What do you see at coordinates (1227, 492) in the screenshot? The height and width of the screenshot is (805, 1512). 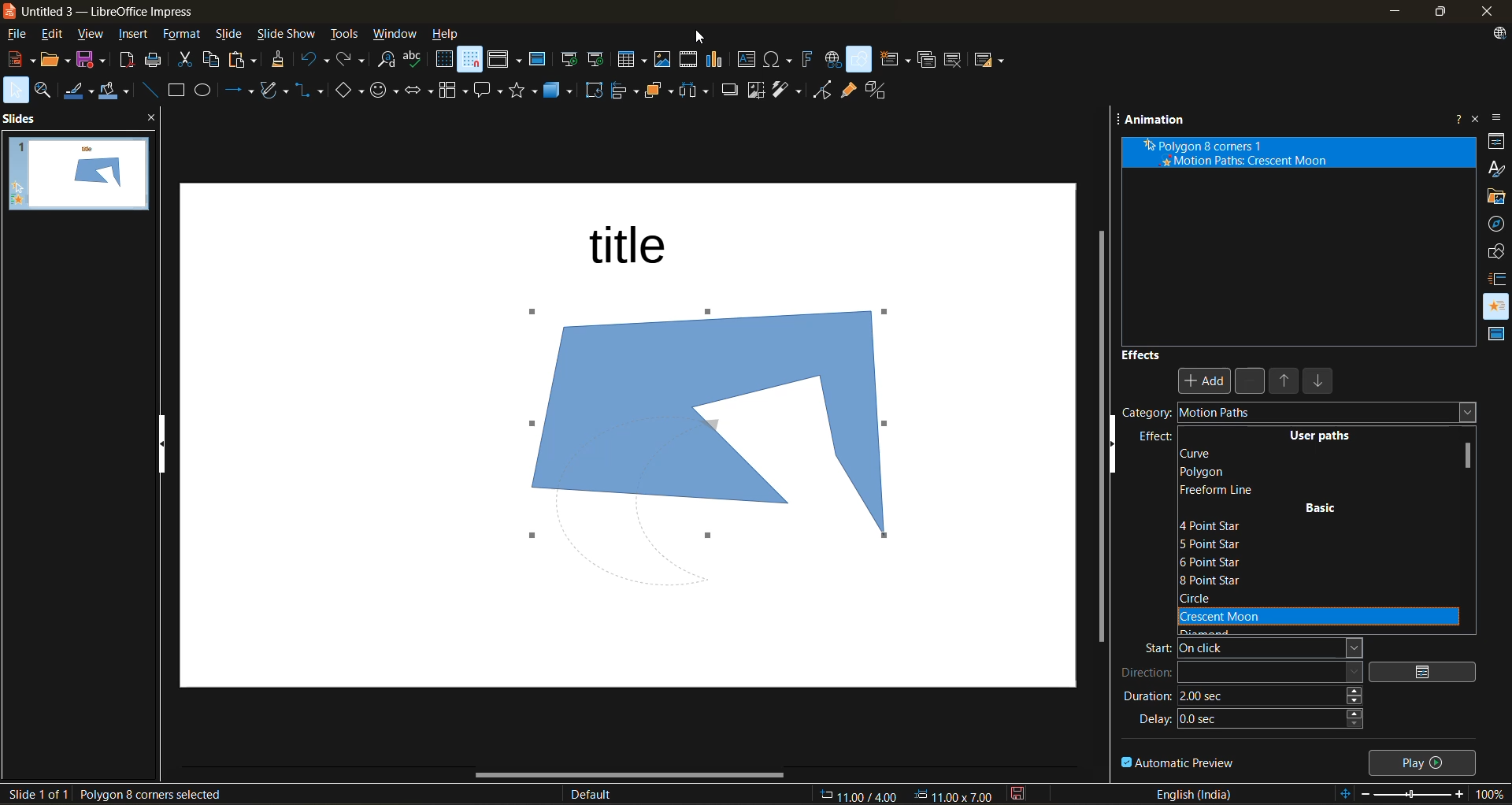 I see `freeform line` at bounding box center [1227, 492].